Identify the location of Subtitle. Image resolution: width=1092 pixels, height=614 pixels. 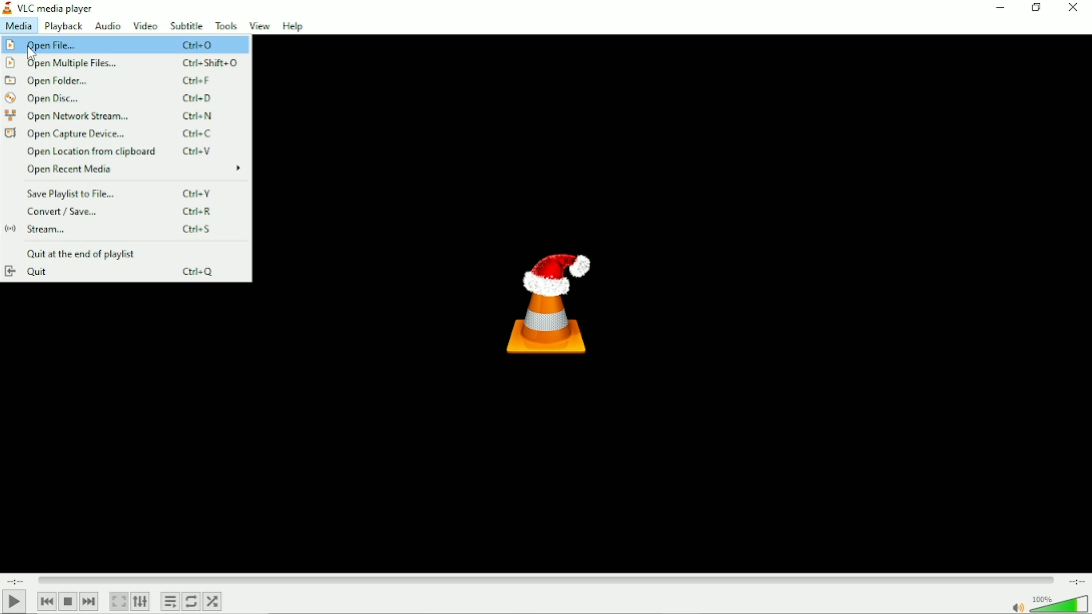
(187, 25).